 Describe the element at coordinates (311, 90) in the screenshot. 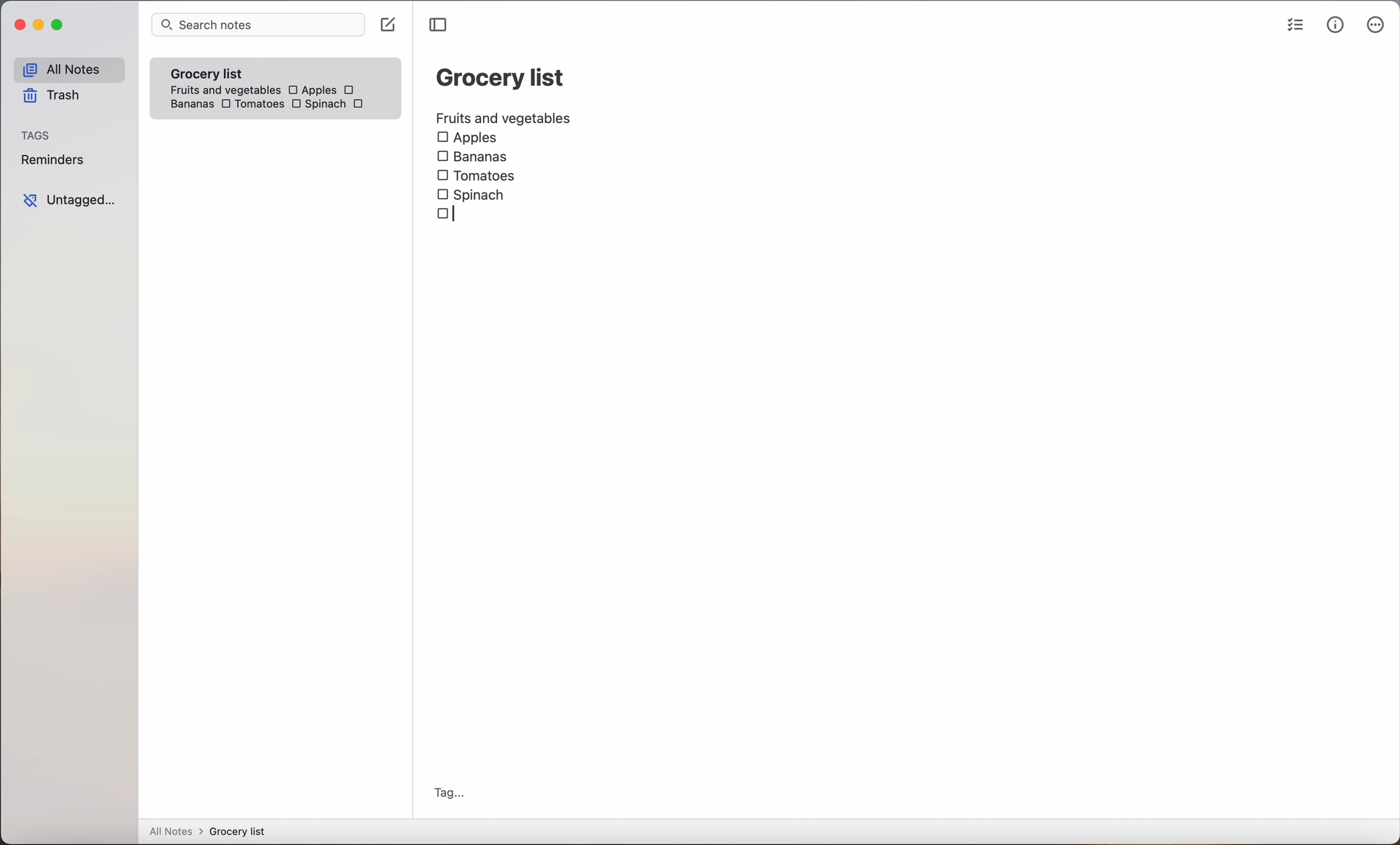

I see `Apples checkbox` at that location.